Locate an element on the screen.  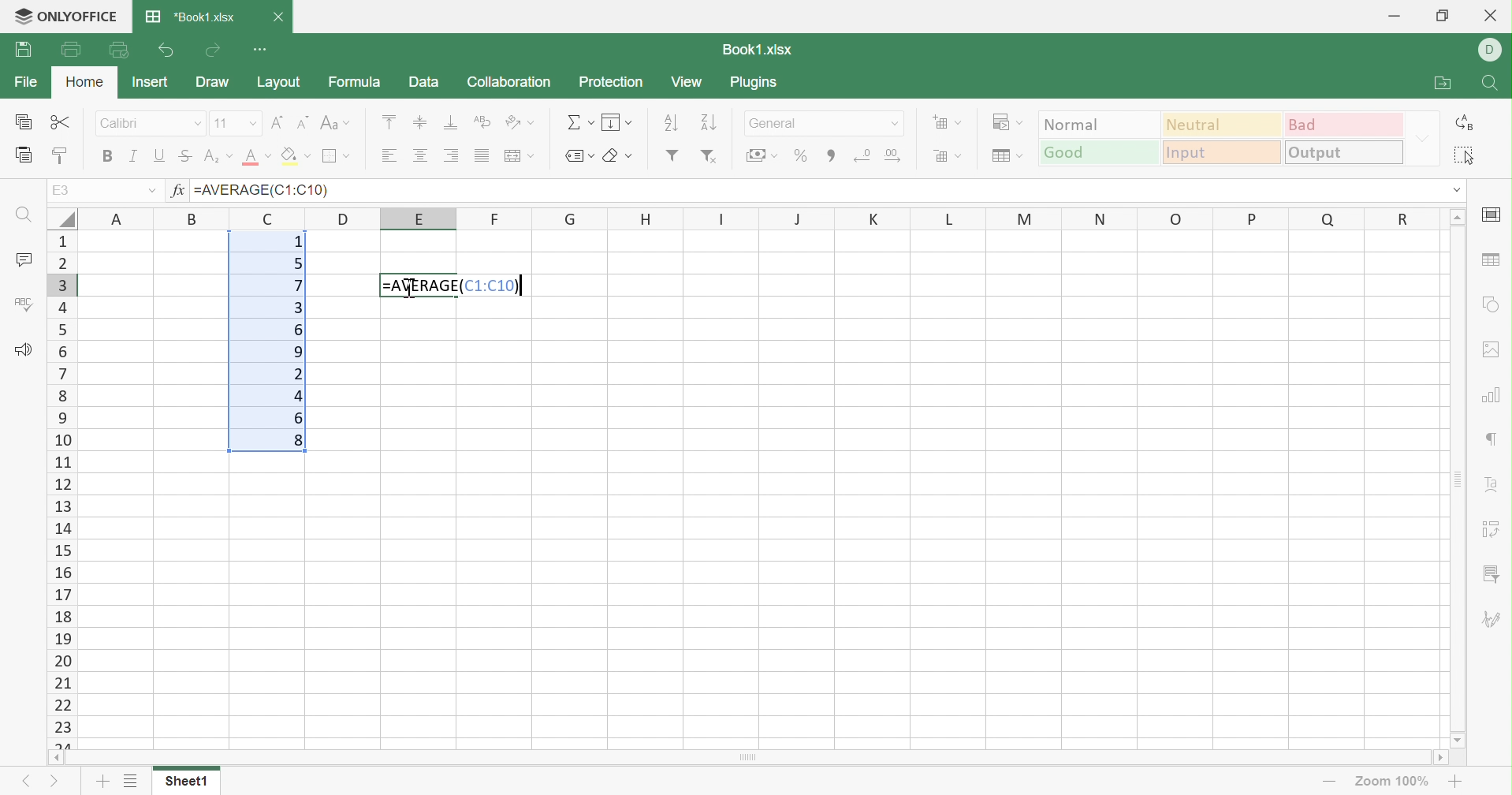
Orientation is located at coordinates (520, 122).